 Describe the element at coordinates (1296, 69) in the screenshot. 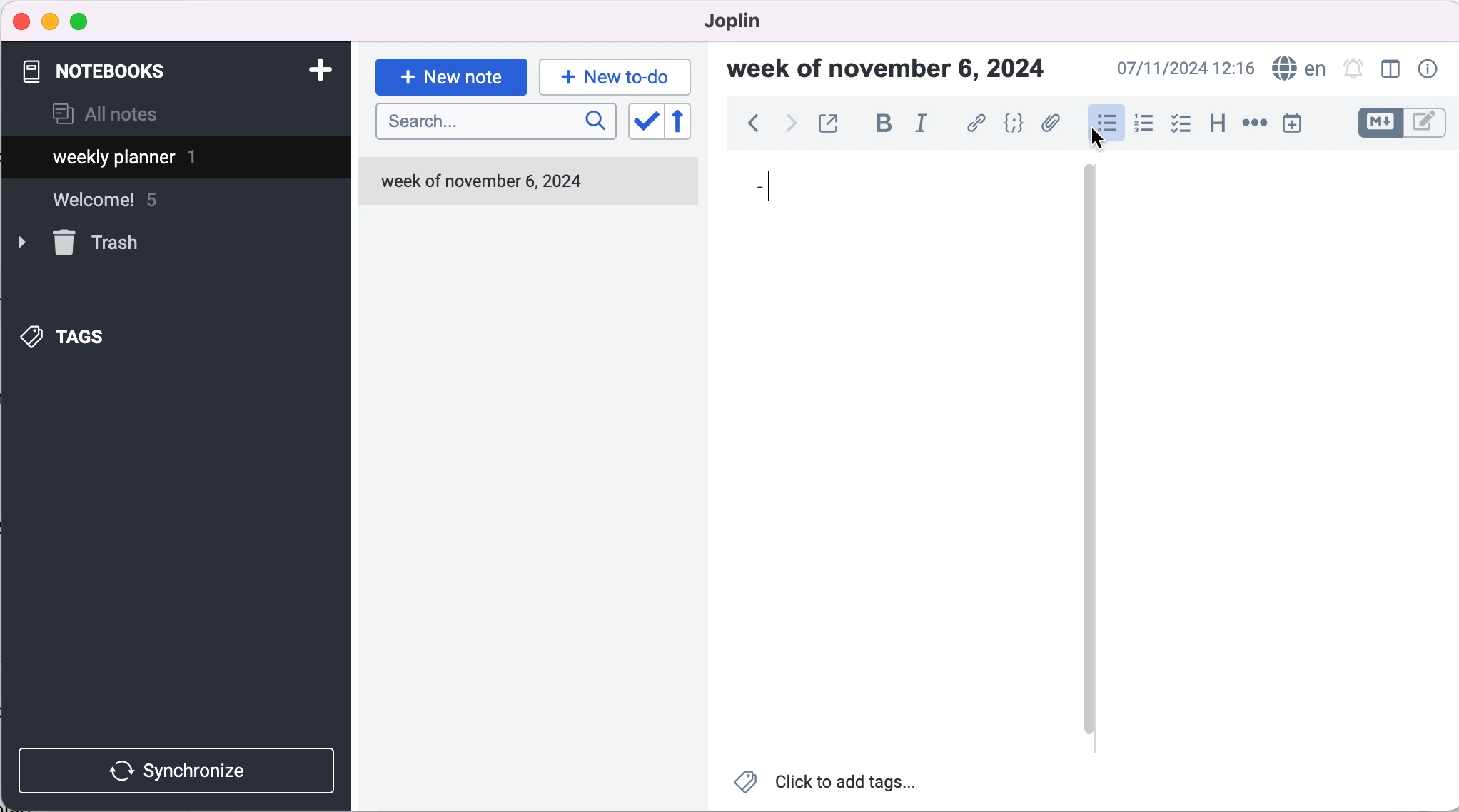

I see `language` at that location.